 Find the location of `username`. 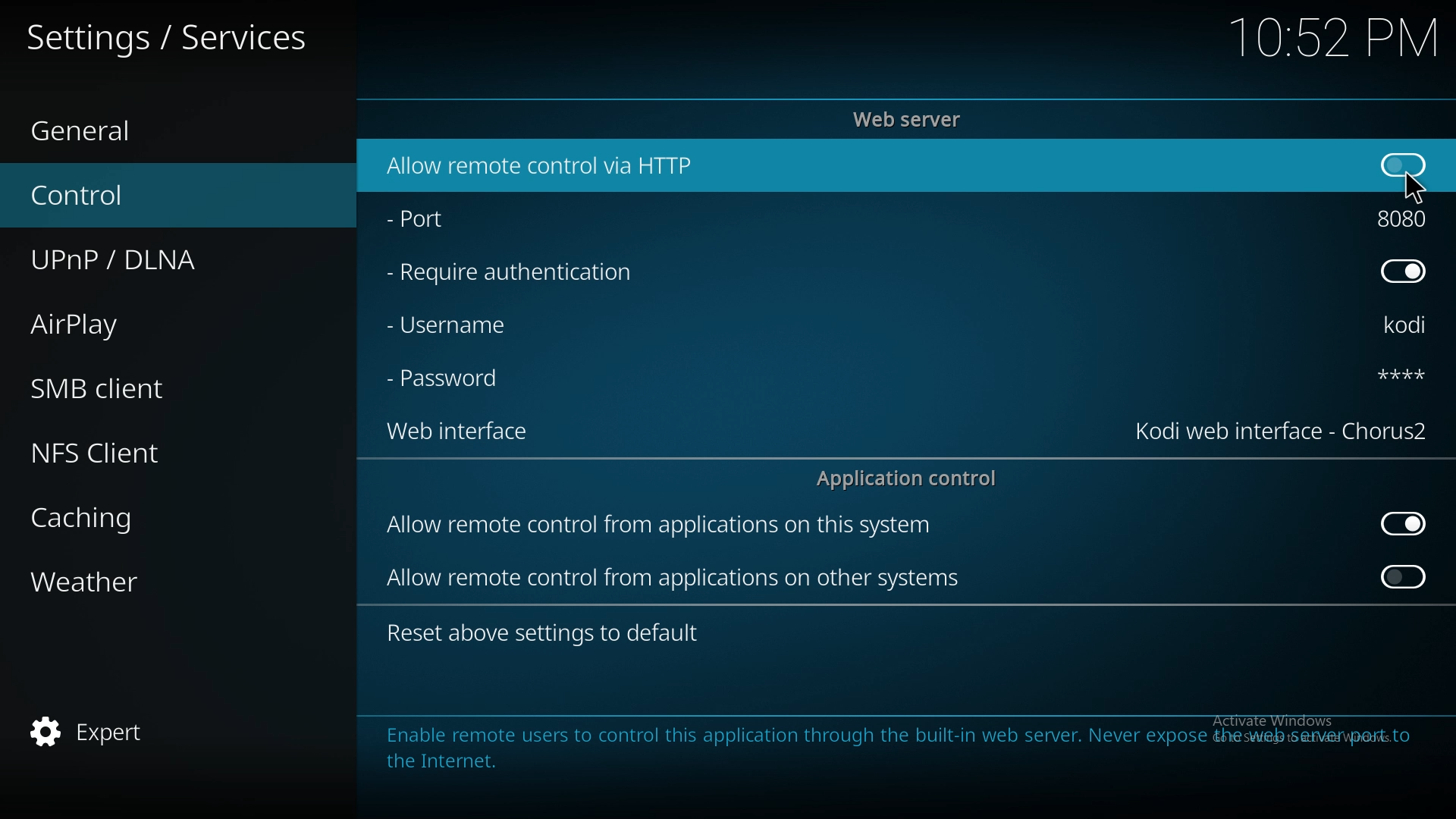

username is located at coordinates (462, 324).